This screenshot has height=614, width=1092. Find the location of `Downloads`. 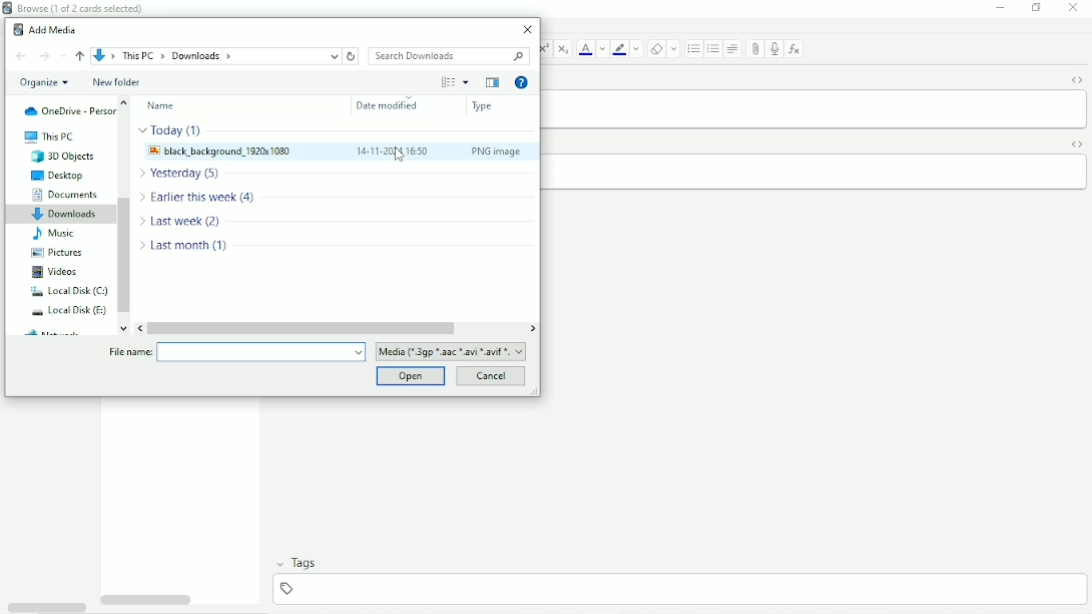

Downloads is located at coordinates (69, 214).